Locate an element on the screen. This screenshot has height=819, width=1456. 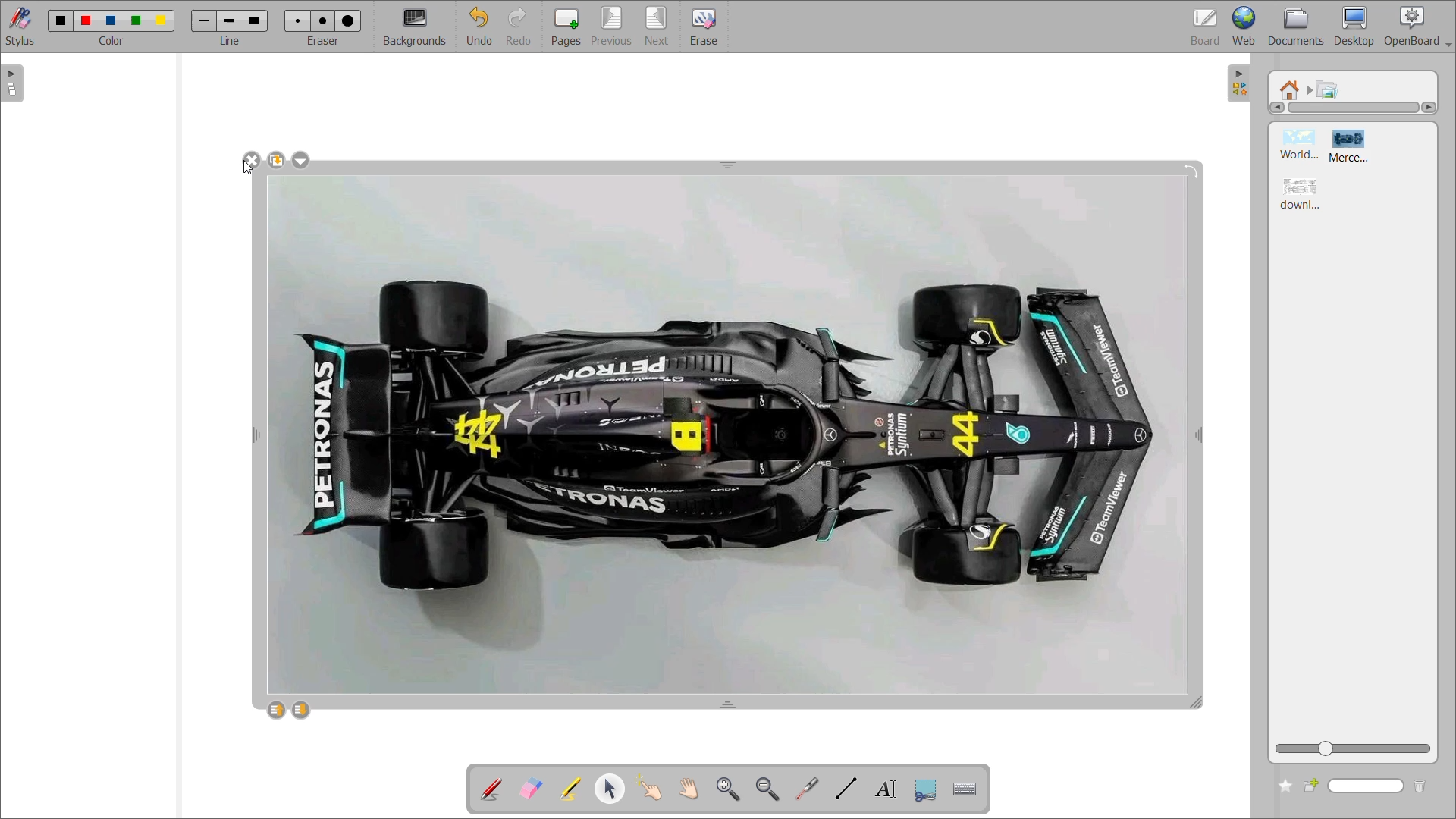
color 4 is located at coordinates (136, 23).